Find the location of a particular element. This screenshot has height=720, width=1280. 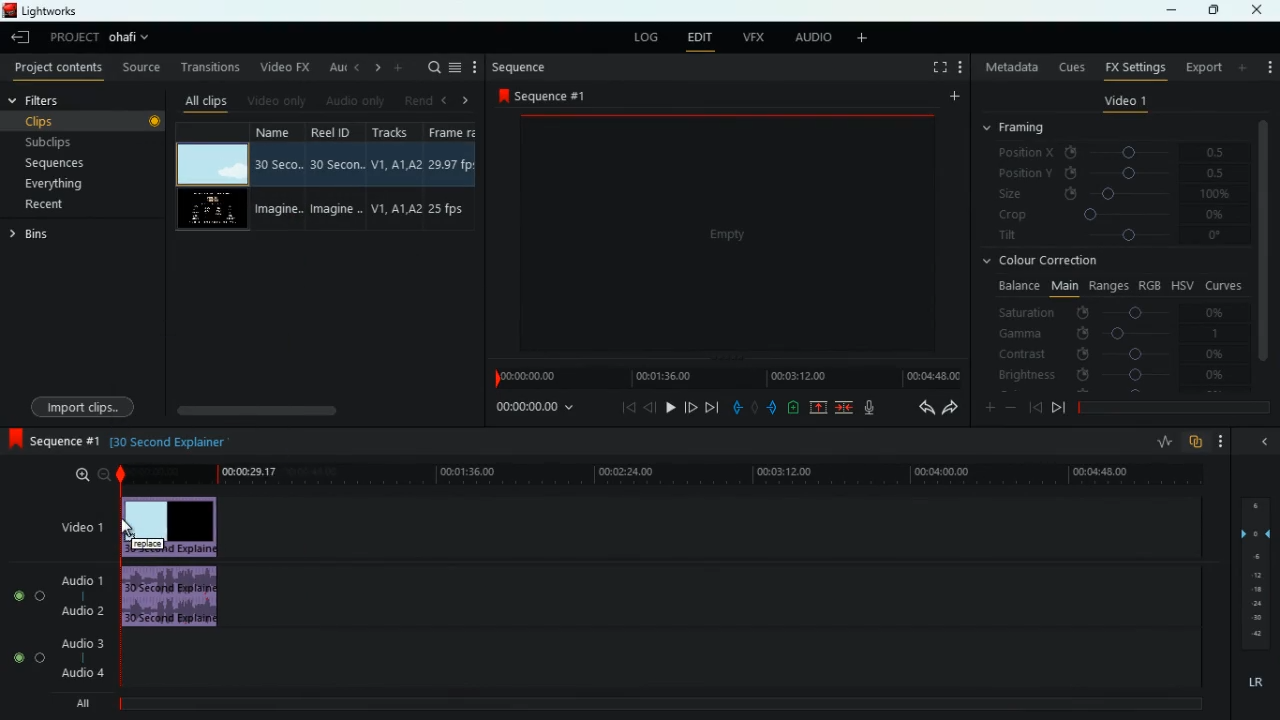

front is located at coordinates (692, 407).